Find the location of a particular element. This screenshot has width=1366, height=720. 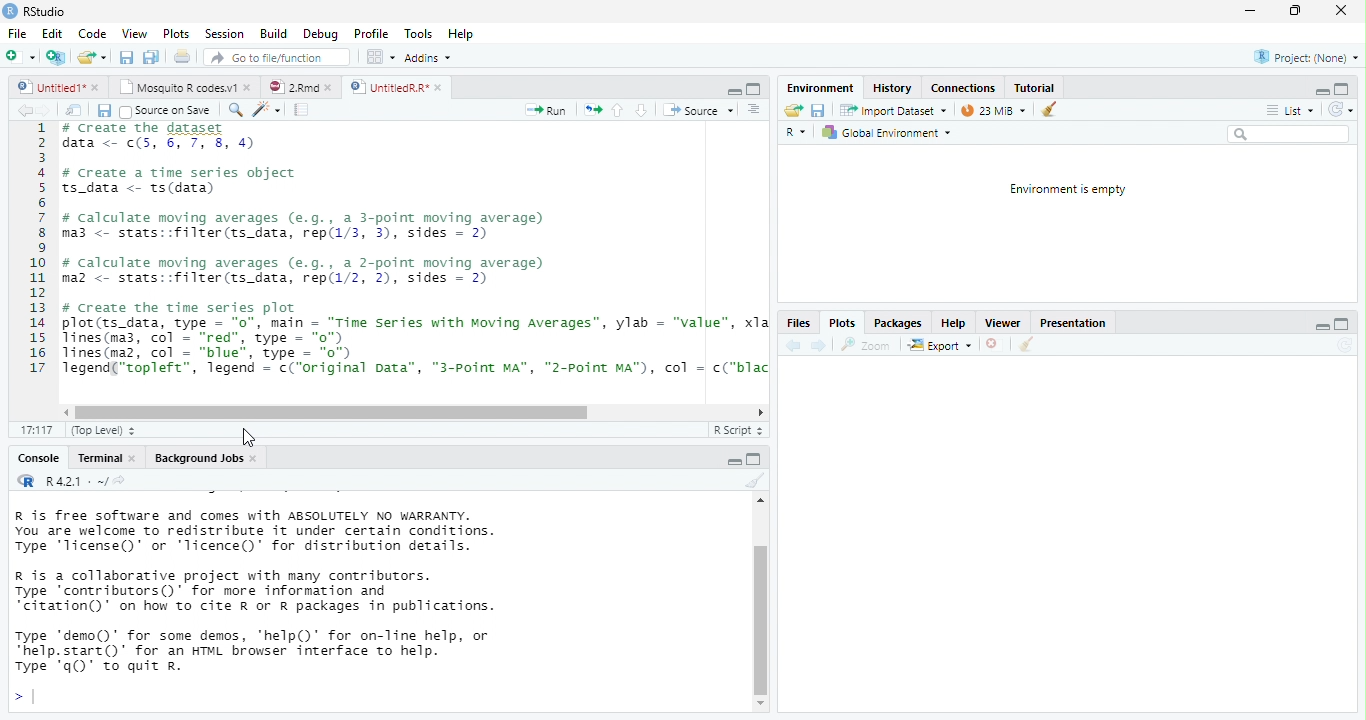

search is located at coordinates (1288, 134).